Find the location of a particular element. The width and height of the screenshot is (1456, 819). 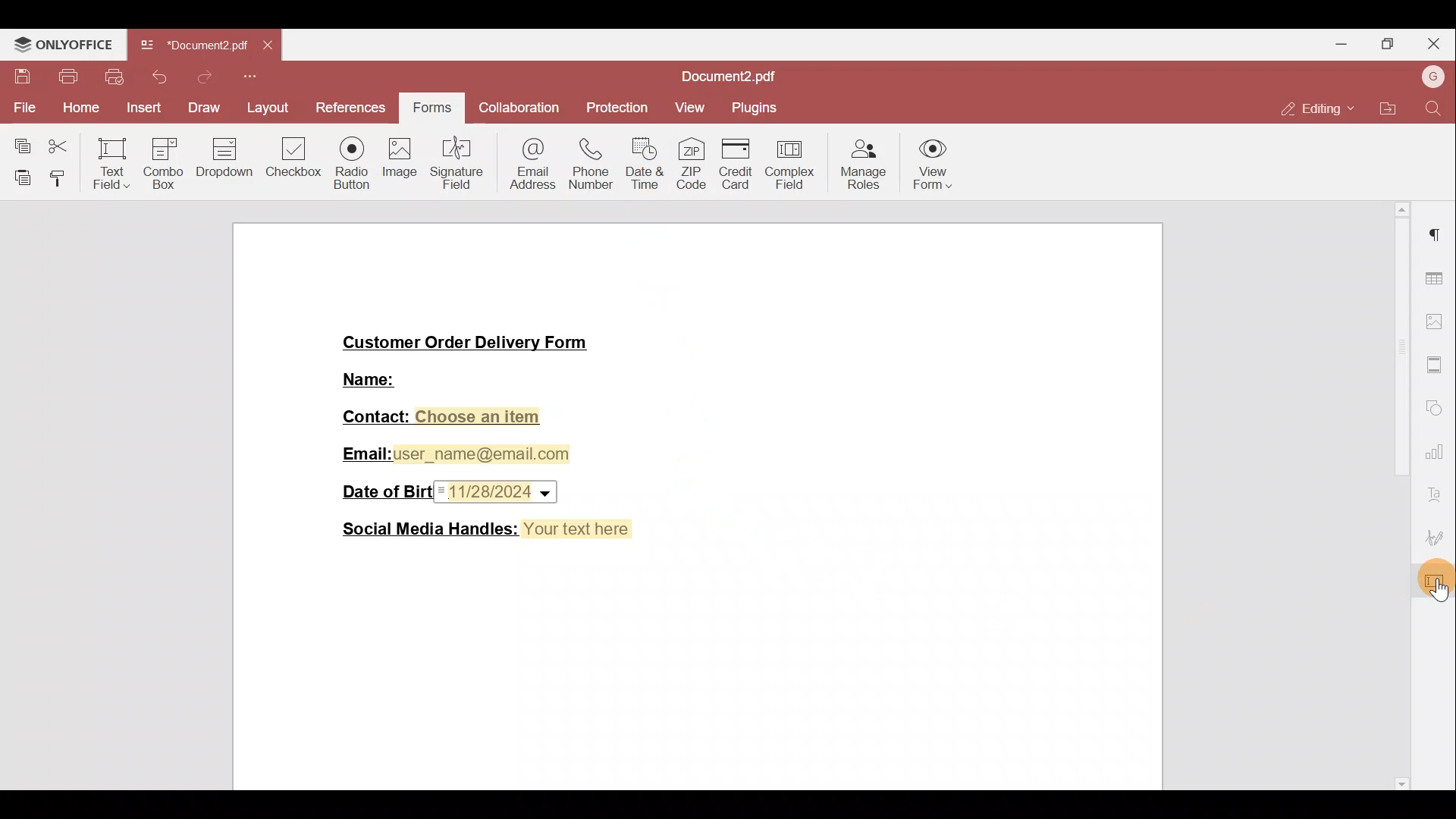

Manage roles is located at coordinates (864, 167).